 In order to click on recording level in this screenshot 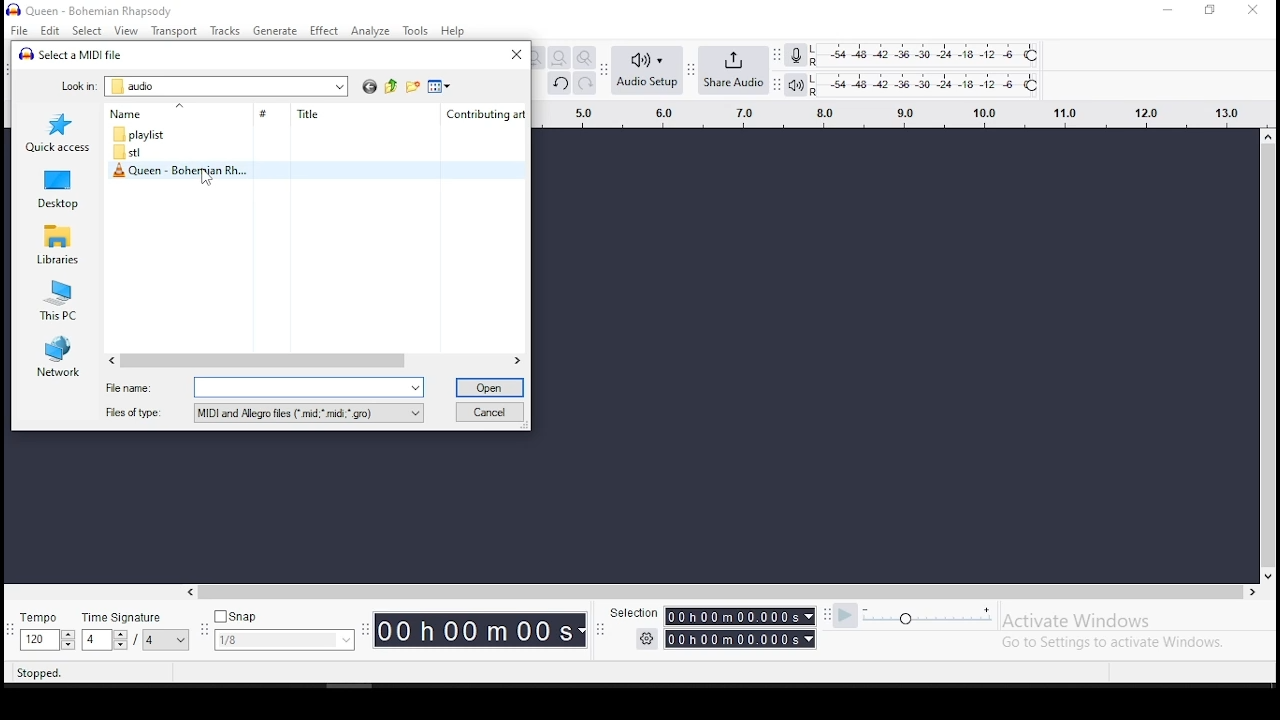, I will do `click(940, 54)`.